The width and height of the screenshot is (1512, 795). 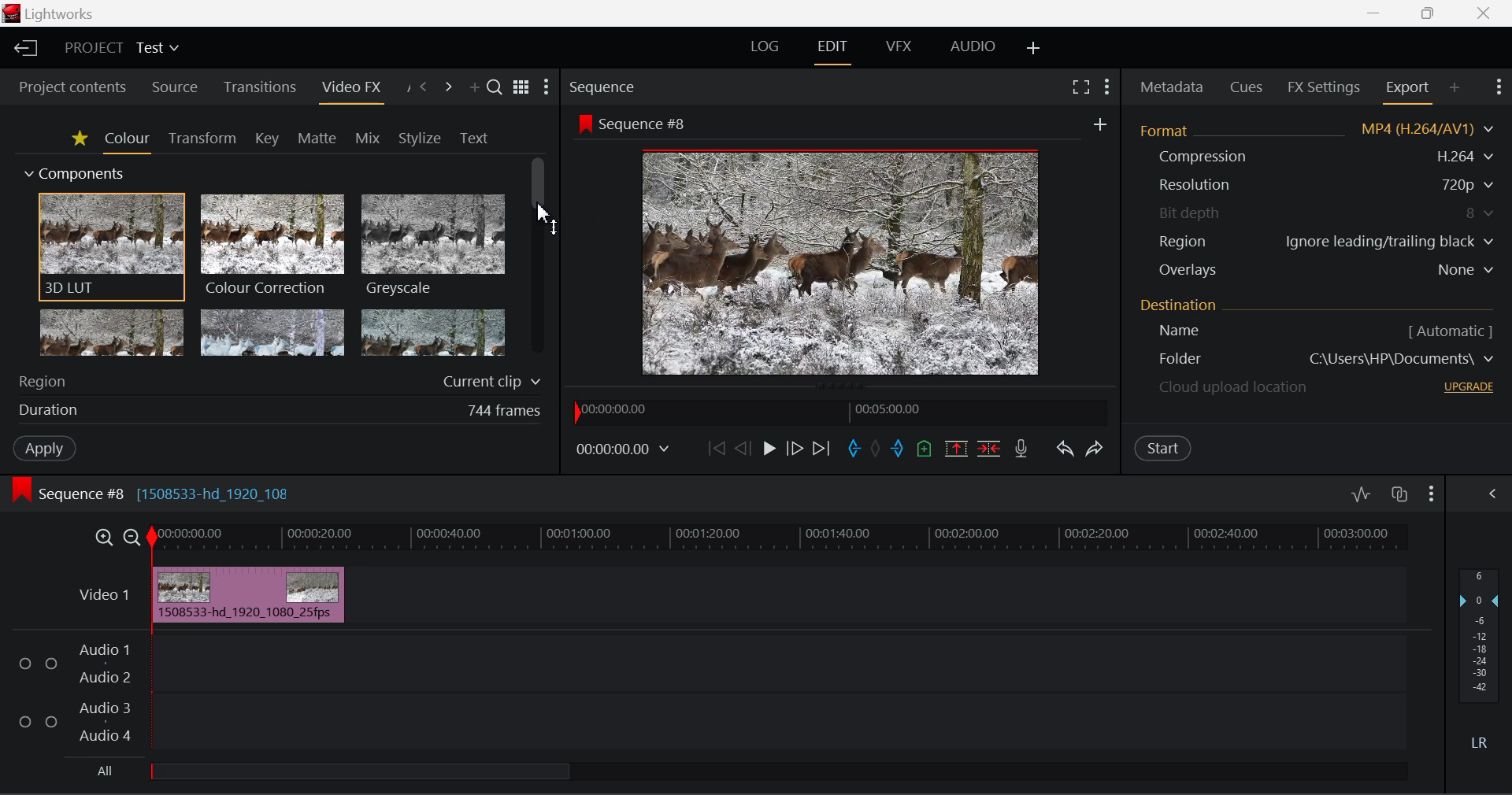 I want to click on Go Back, so click(x=743, y=449).